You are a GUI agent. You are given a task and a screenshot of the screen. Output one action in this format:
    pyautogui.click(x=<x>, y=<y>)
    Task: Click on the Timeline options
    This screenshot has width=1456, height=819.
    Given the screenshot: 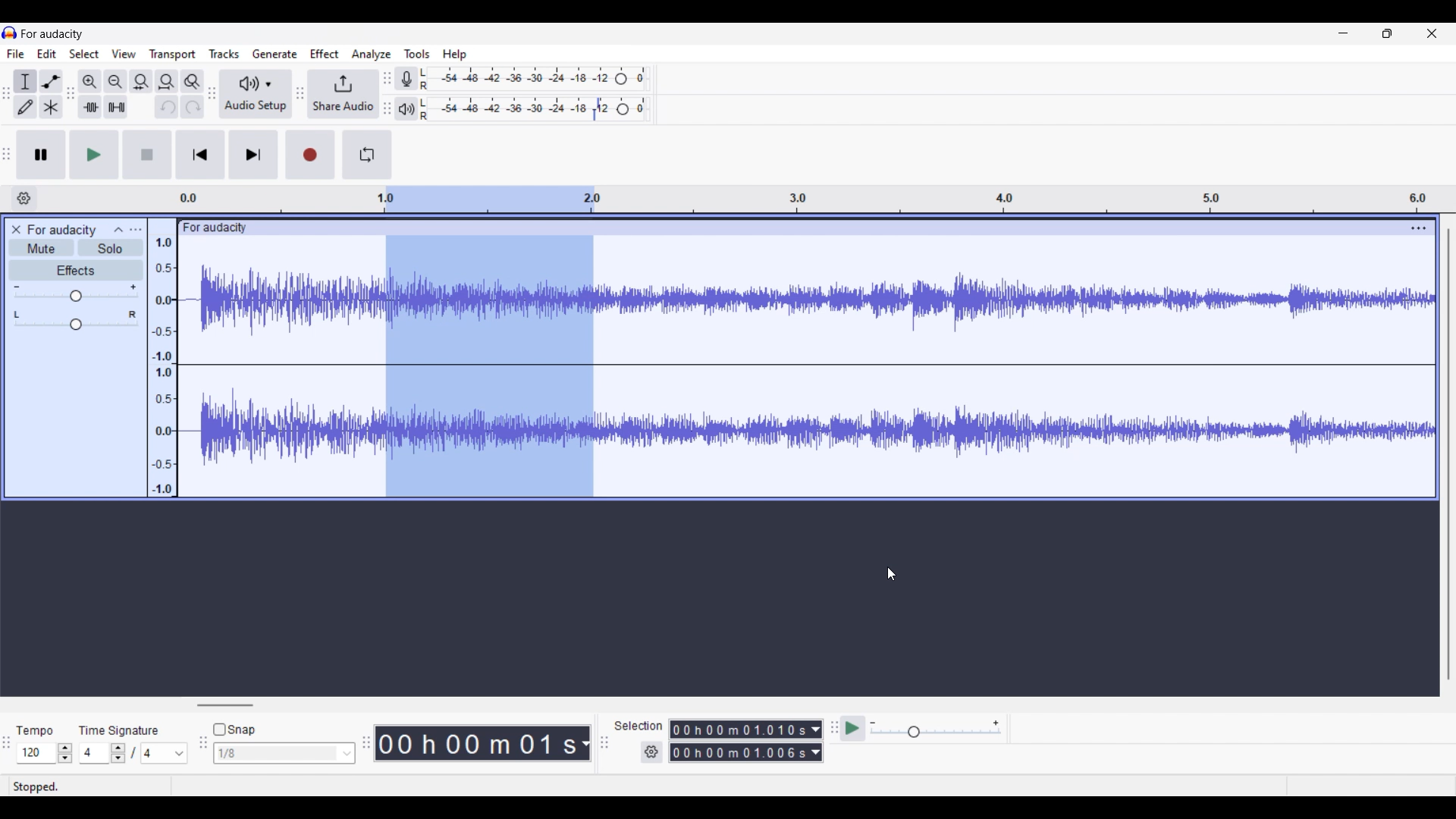 What is the action you would take?
    pyautogui.click(x=24, y=199)
    